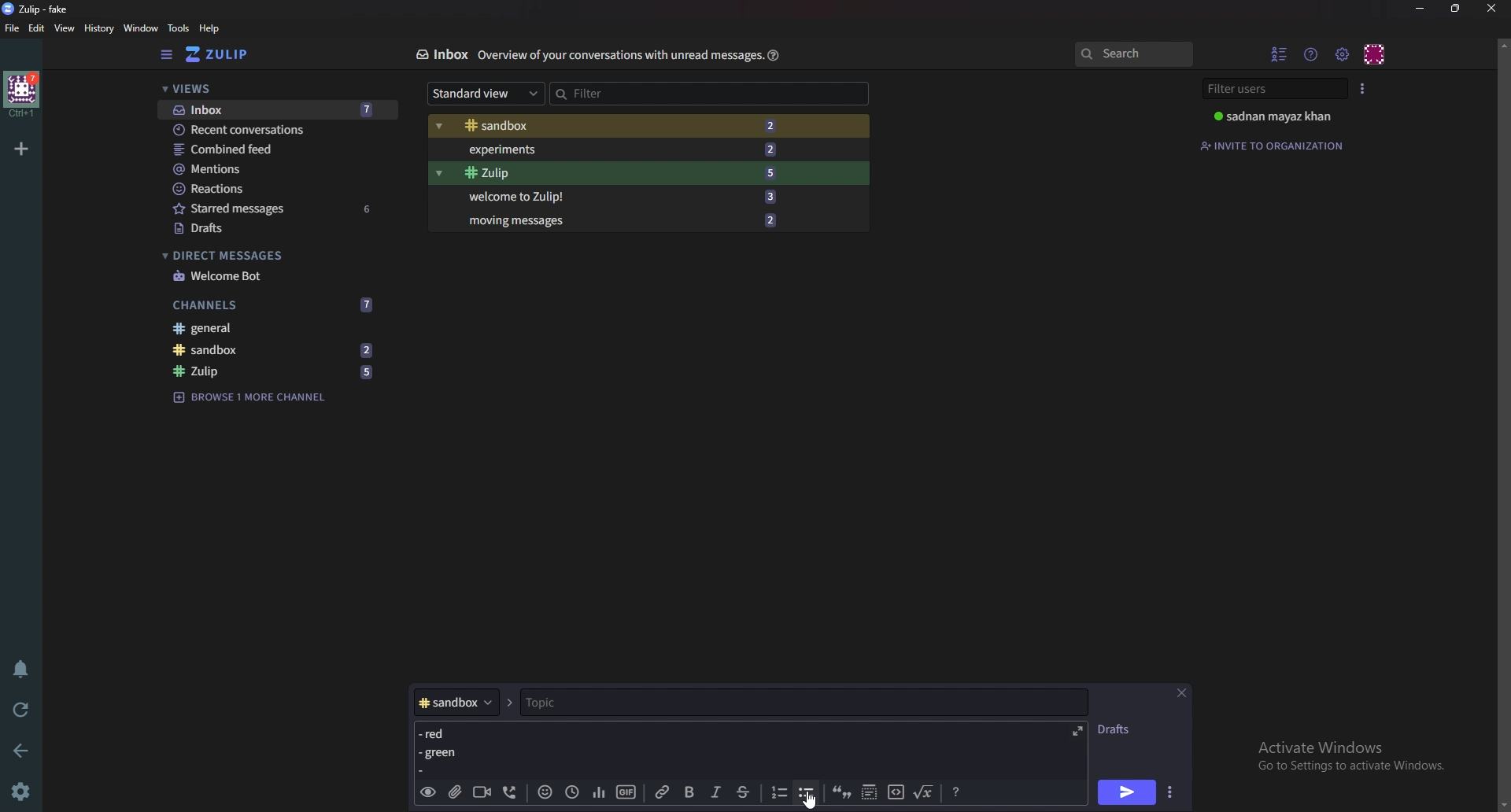 This screenshot has height=812, width=1511. Describe the element at coordinates (1277, 89) in the screenshot. I see `Filter users` at that location.